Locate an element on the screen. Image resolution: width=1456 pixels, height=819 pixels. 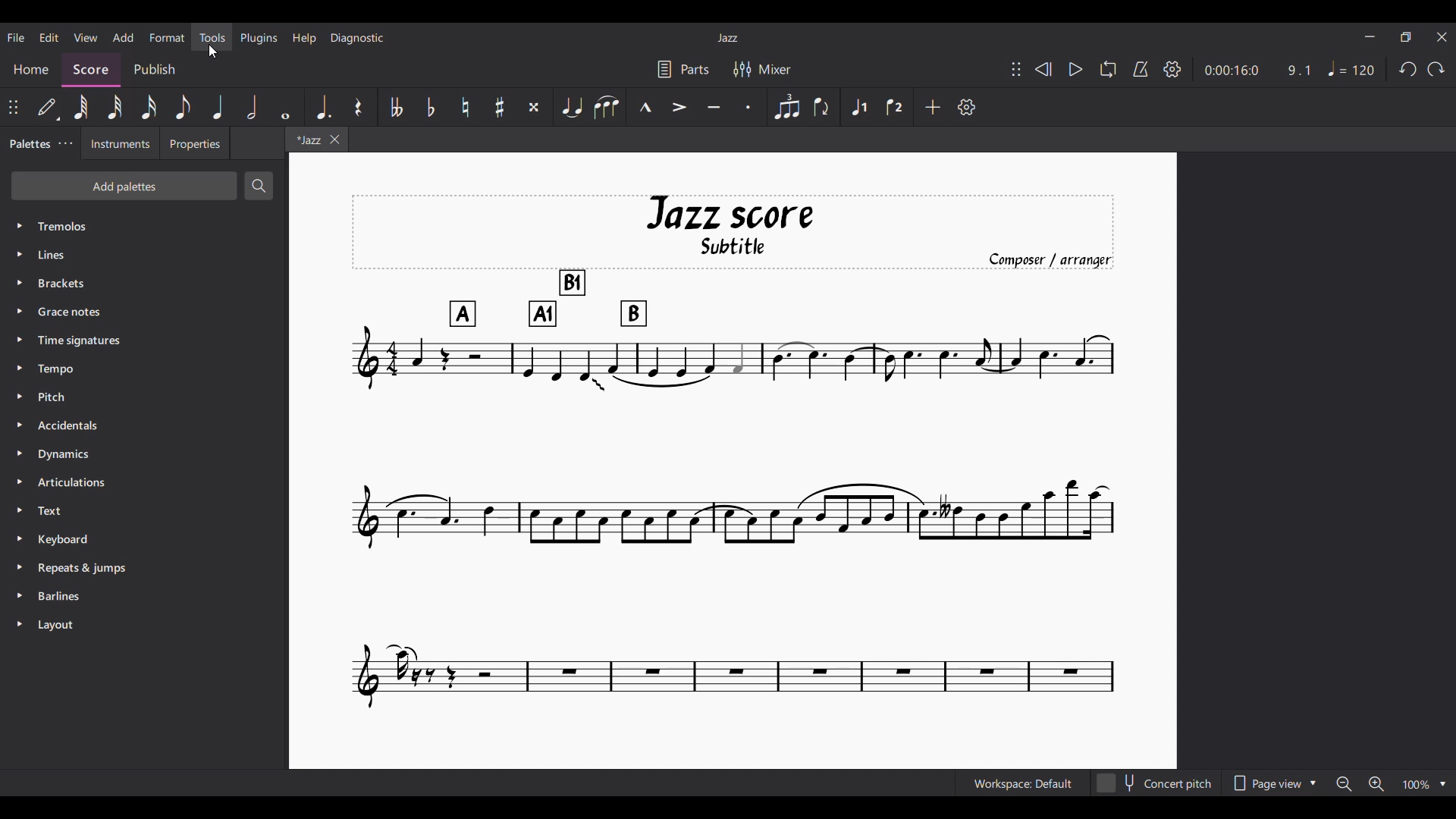
Augmentation dot is located at coordinates (323, 106).